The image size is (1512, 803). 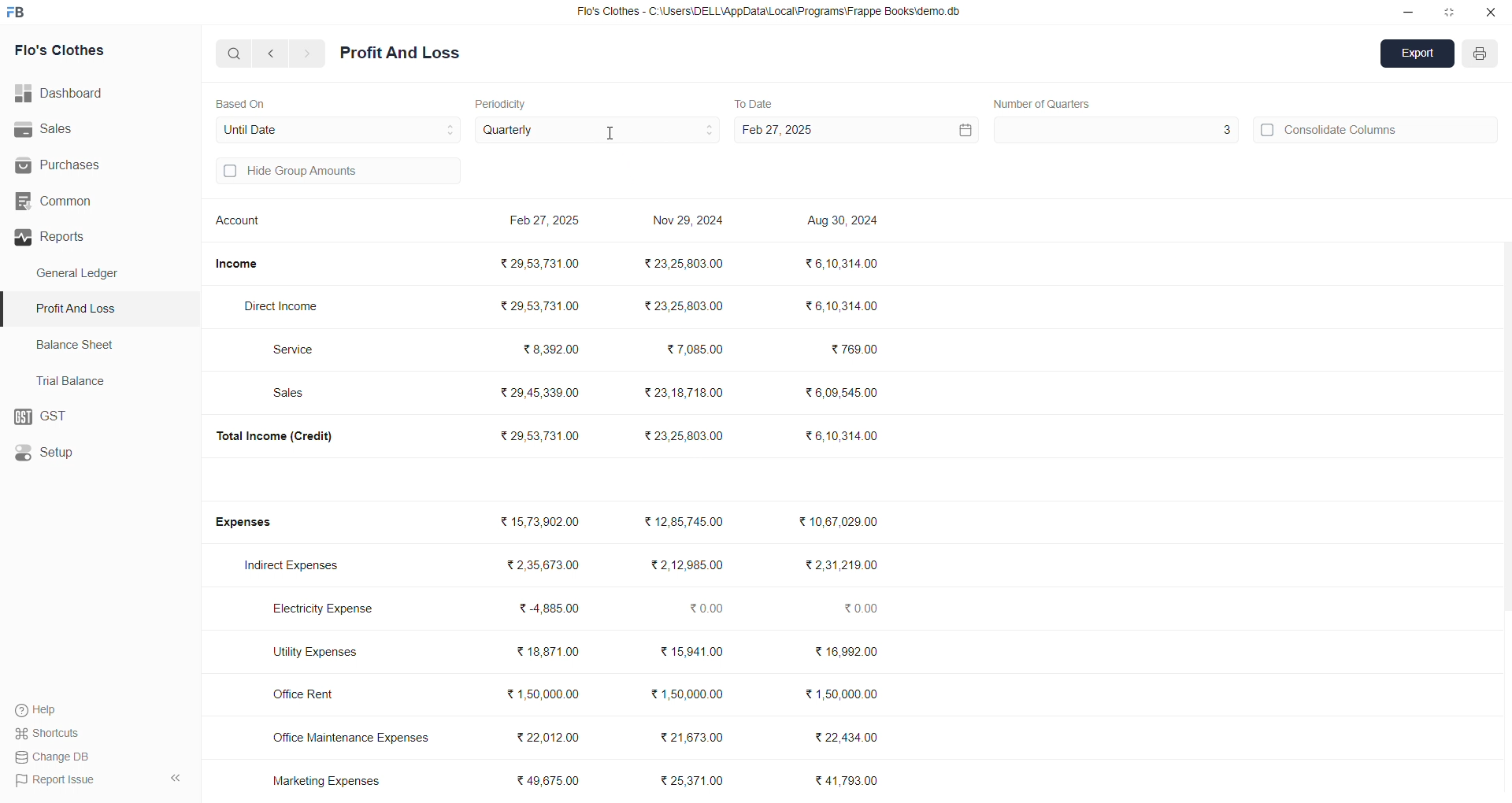 I want to click on ₹7,085.00, so click(x=695, y=350).